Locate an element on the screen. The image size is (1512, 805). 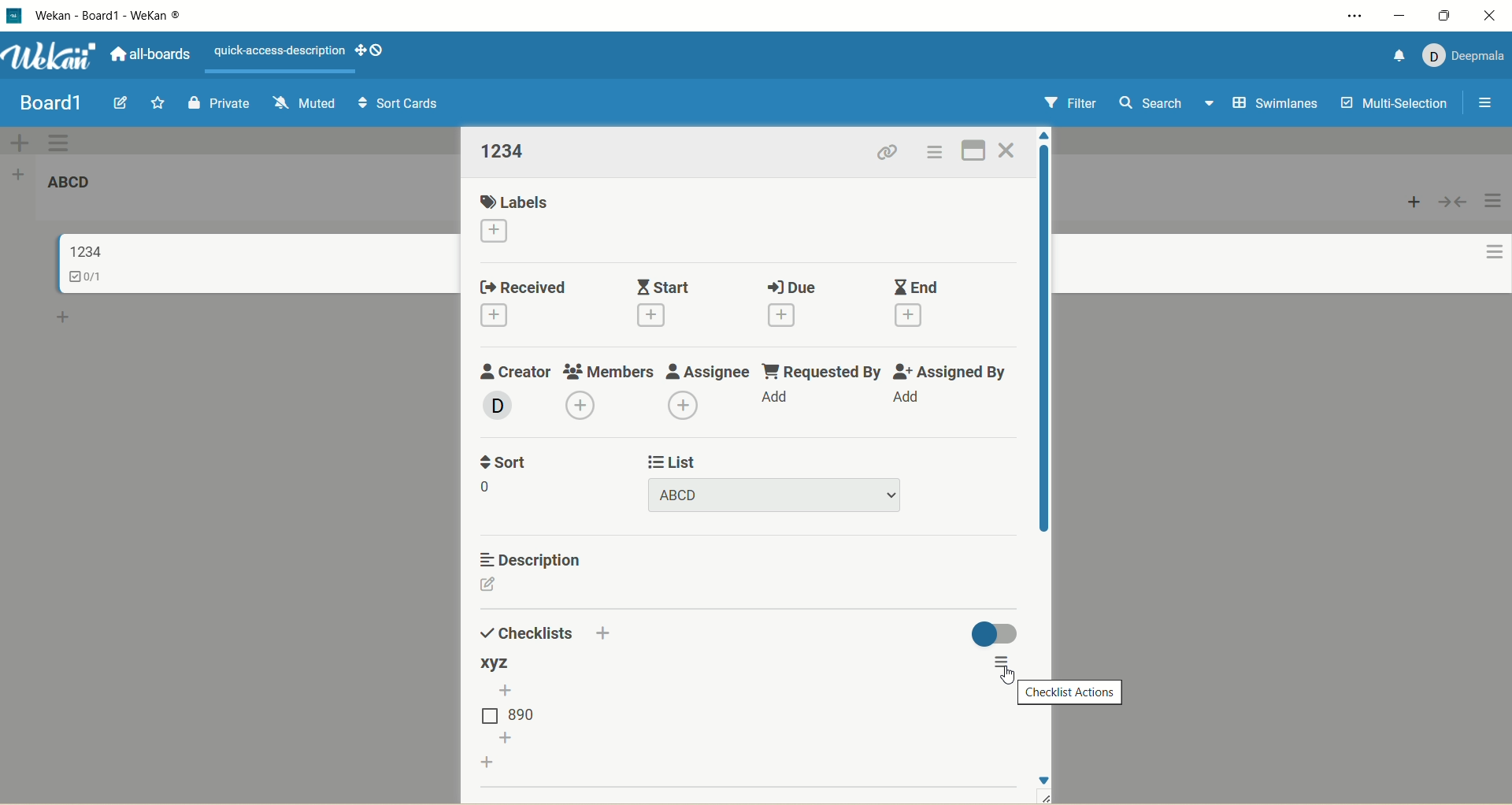
swimlane action is located at coordinates (65, 142).